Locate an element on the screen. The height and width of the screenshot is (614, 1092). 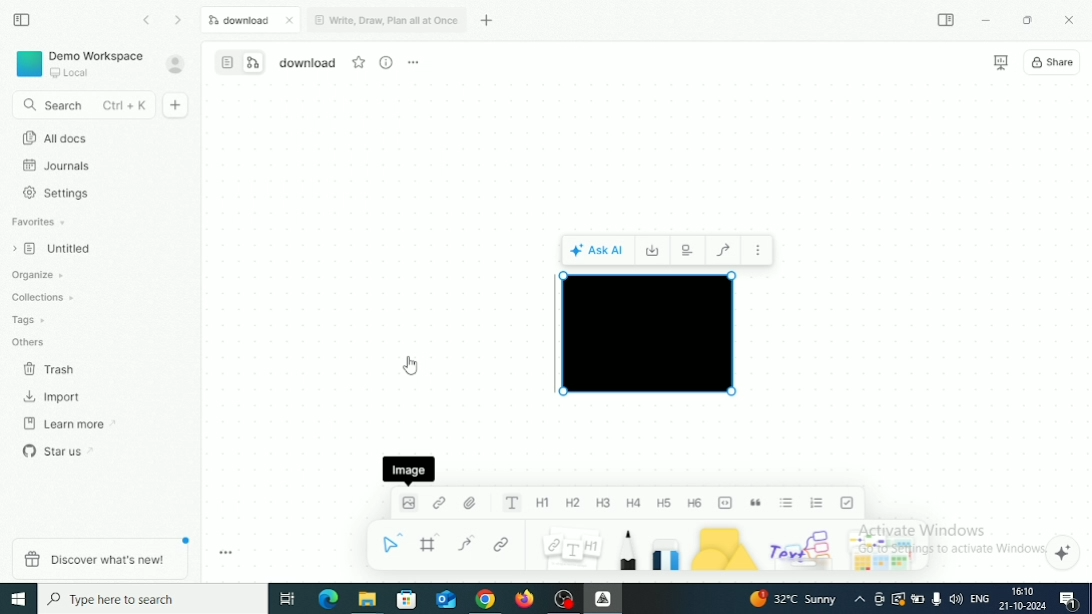
Trash is located at coordinates (51, 369).